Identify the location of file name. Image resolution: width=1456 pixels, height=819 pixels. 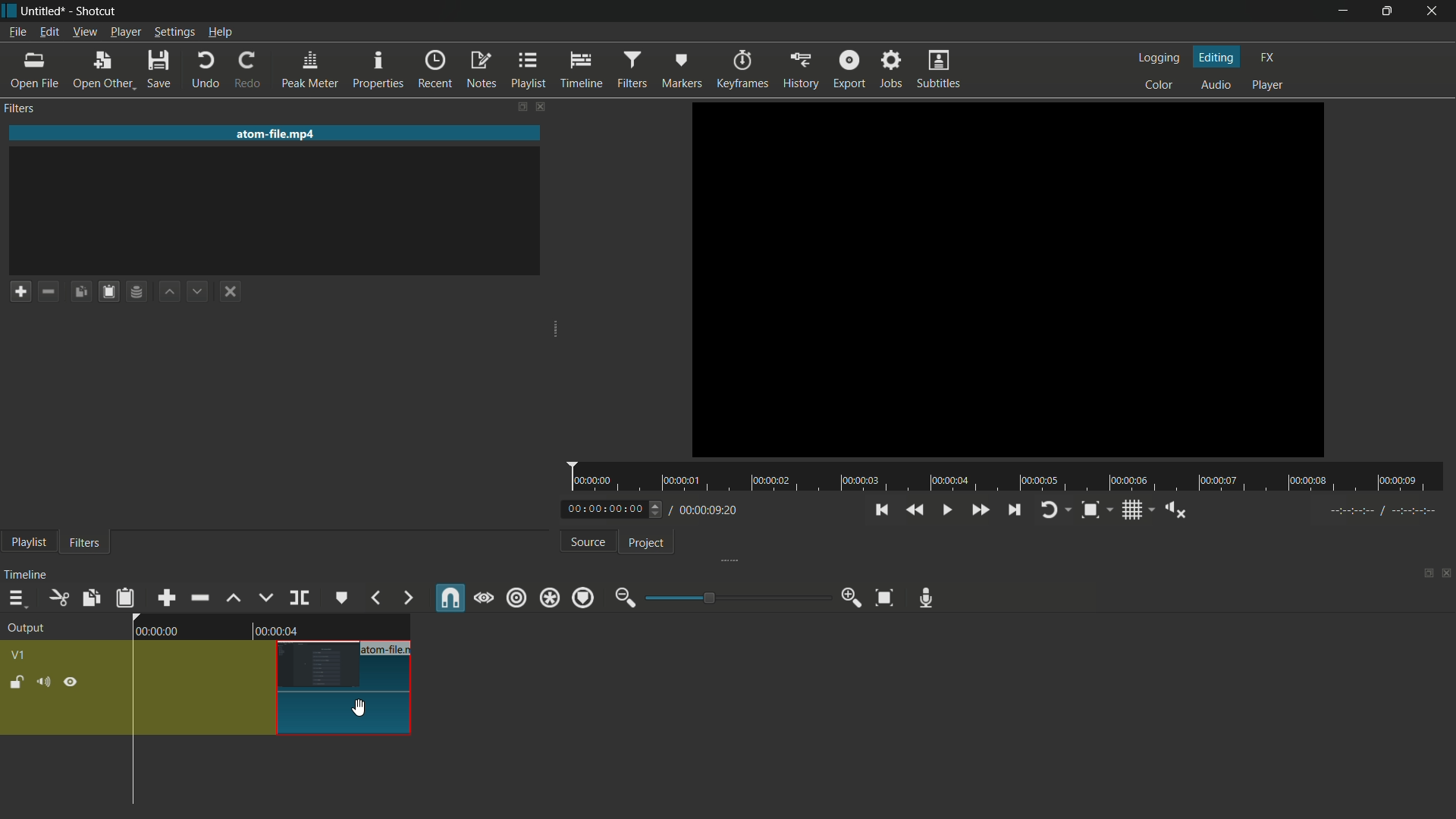
(43, 11).